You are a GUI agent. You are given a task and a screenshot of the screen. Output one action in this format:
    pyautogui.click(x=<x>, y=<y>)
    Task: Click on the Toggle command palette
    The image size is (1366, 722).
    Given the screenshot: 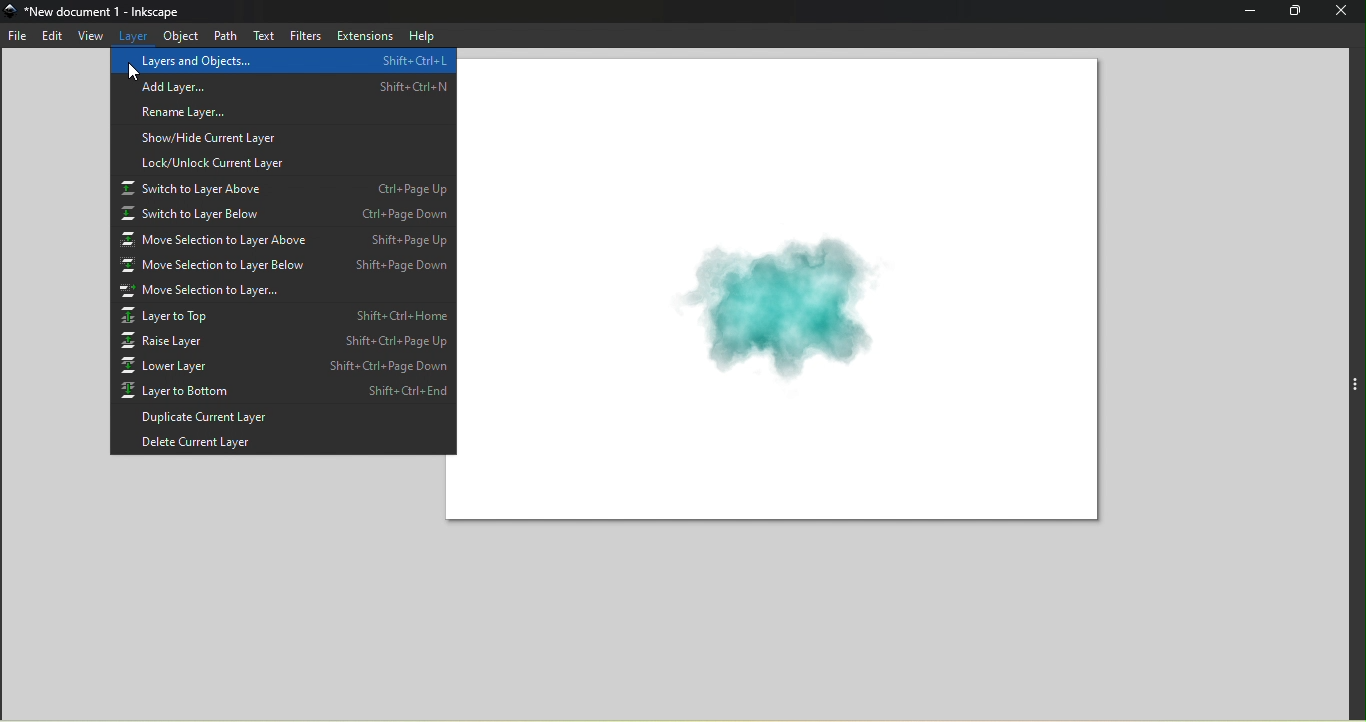 What is the action you would take?
    pyautogui.click(x=1356, y=381)
    